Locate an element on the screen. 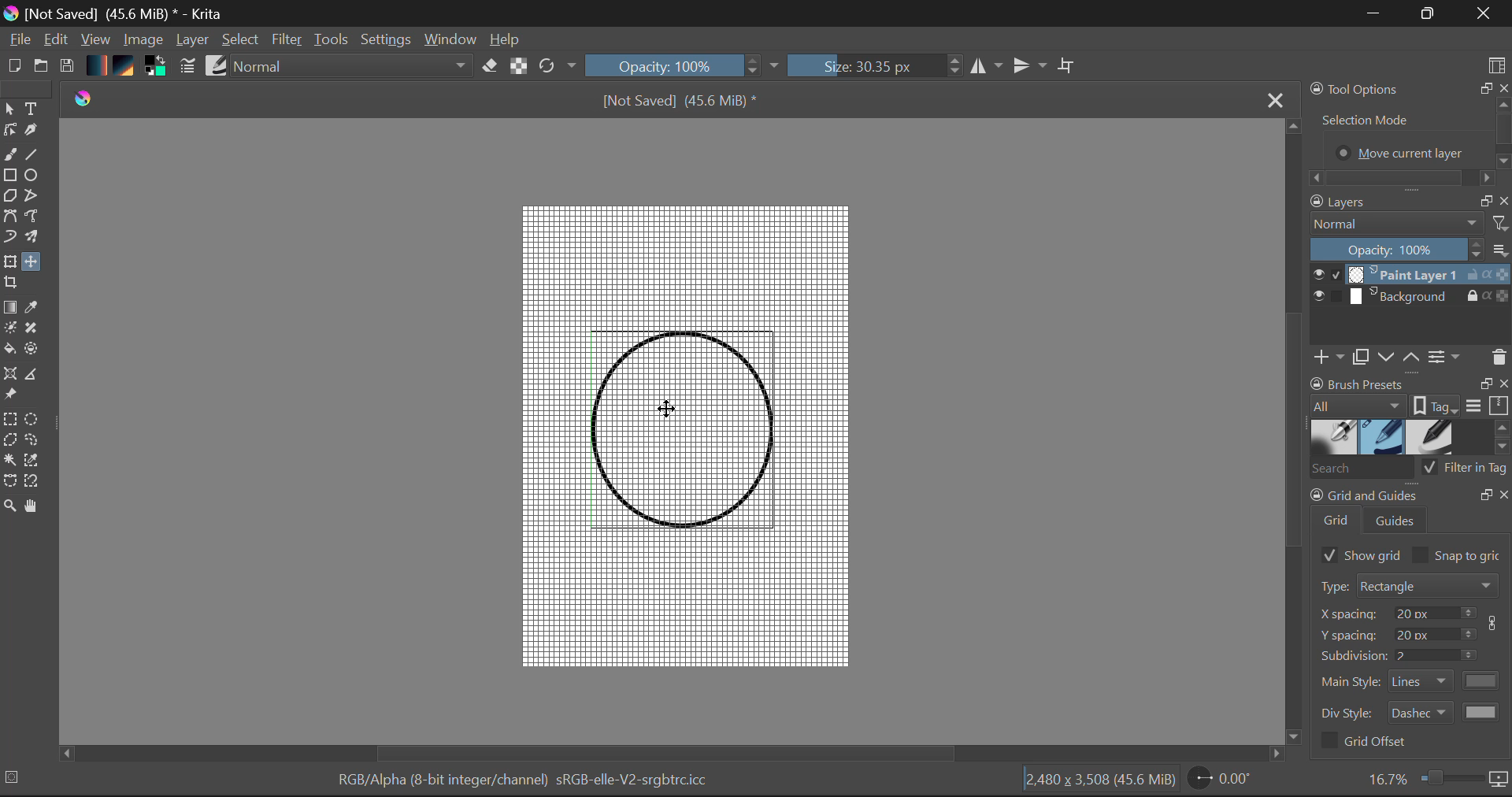  Grid and Guides Docker is located at coordinates (1411, 664).